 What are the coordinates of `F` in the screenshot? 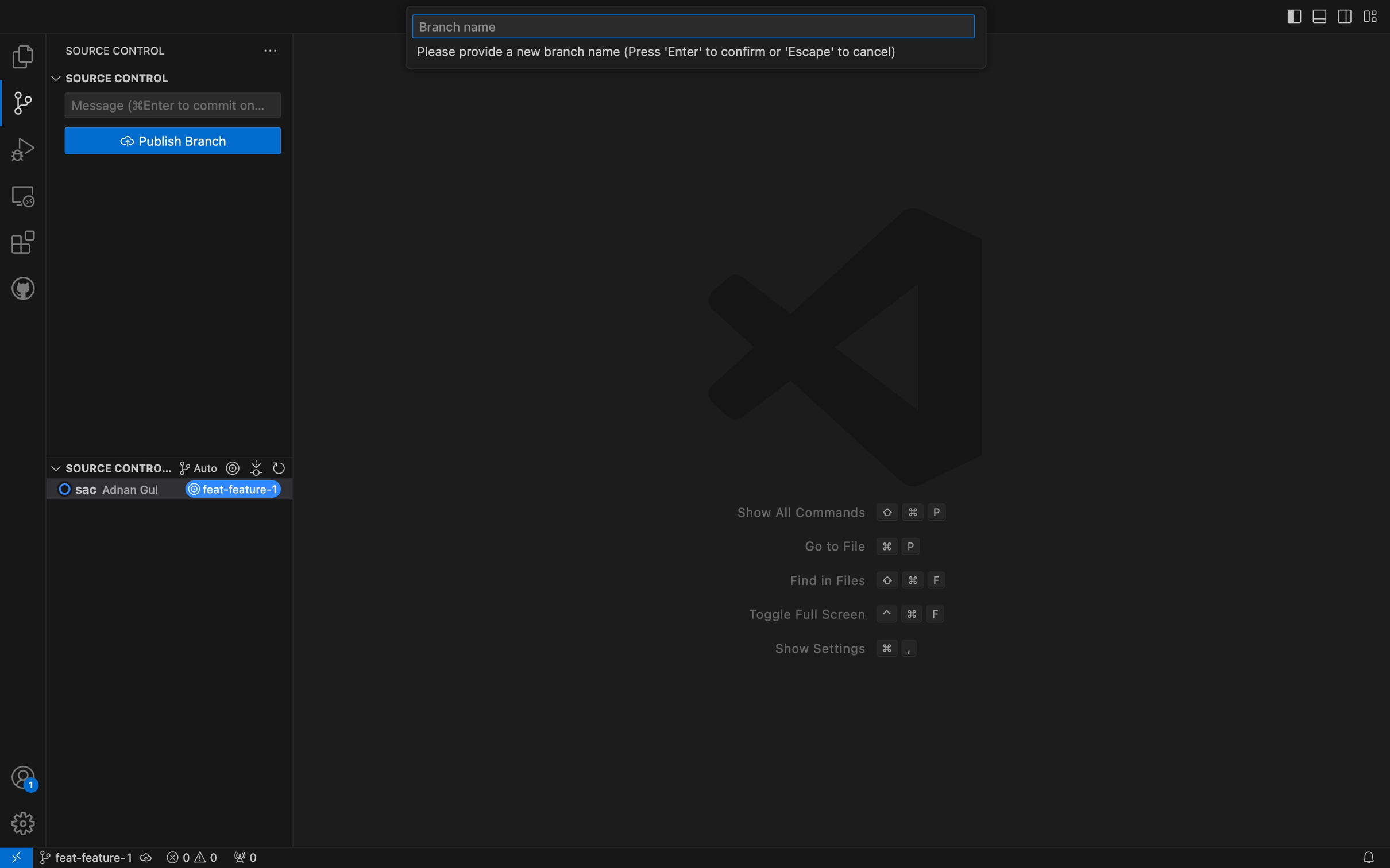 It's located at (940, 580).